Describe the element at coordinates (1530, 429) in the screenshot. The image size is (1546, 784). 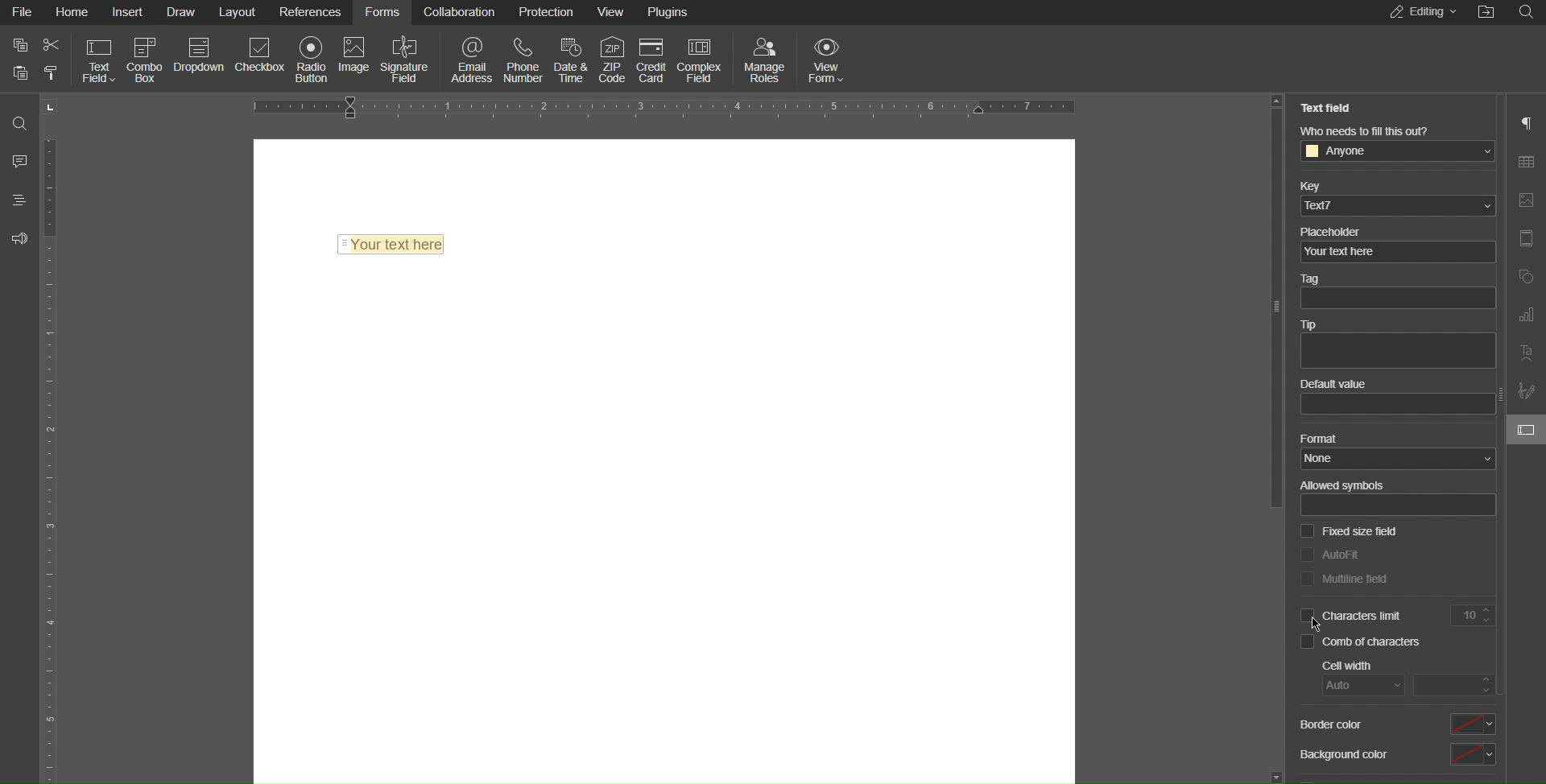
I see `field settings` at that location.